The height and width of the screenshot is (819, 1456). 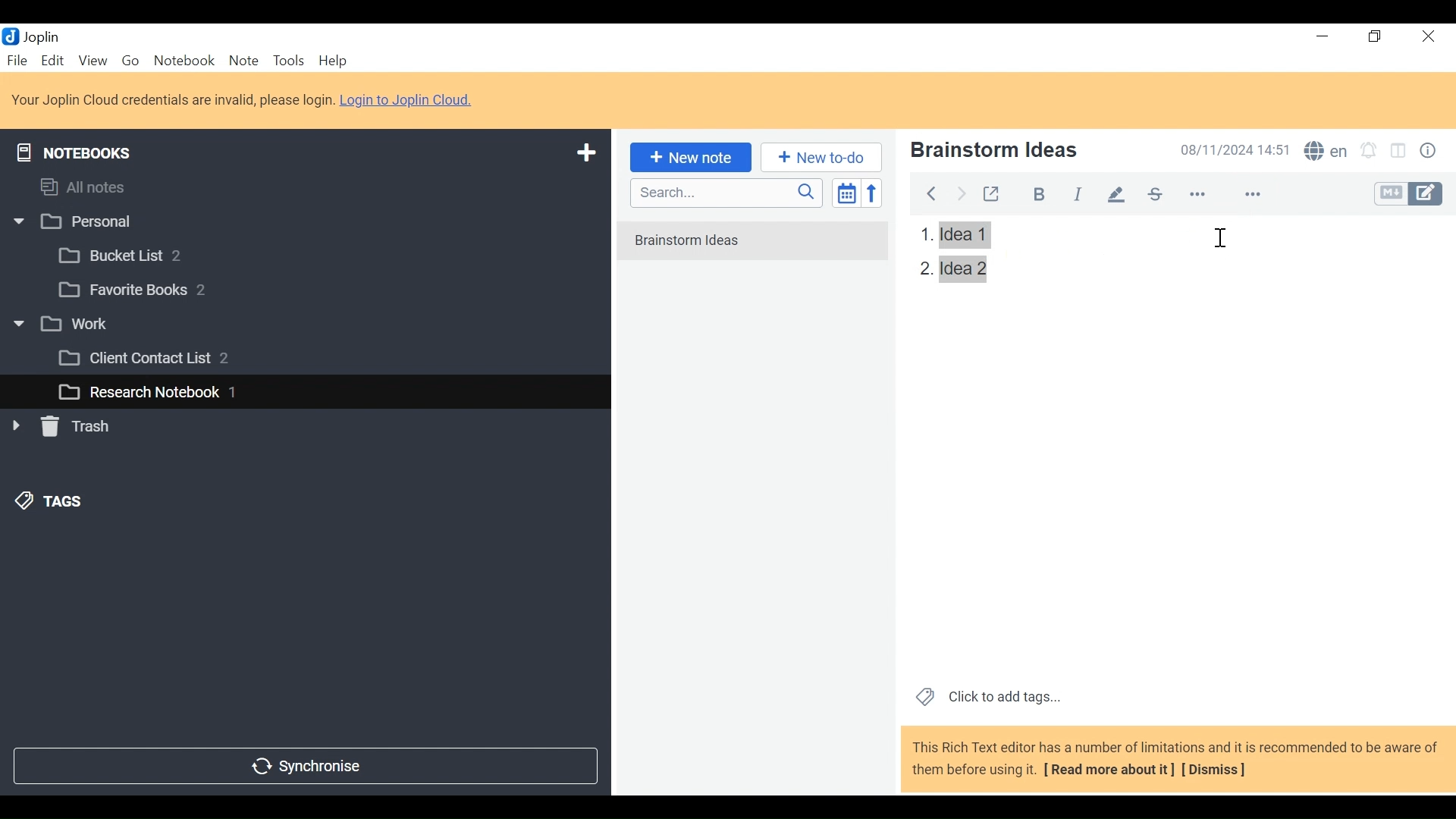 What do you see at coordinates (1175, 758) in the screenshot?
I see `This Rich Text editor has a number of limitations and it is recommended to be aware of
them before using it. [ Read more about it] [Dismiss]` at bounding box center [1175, 758].